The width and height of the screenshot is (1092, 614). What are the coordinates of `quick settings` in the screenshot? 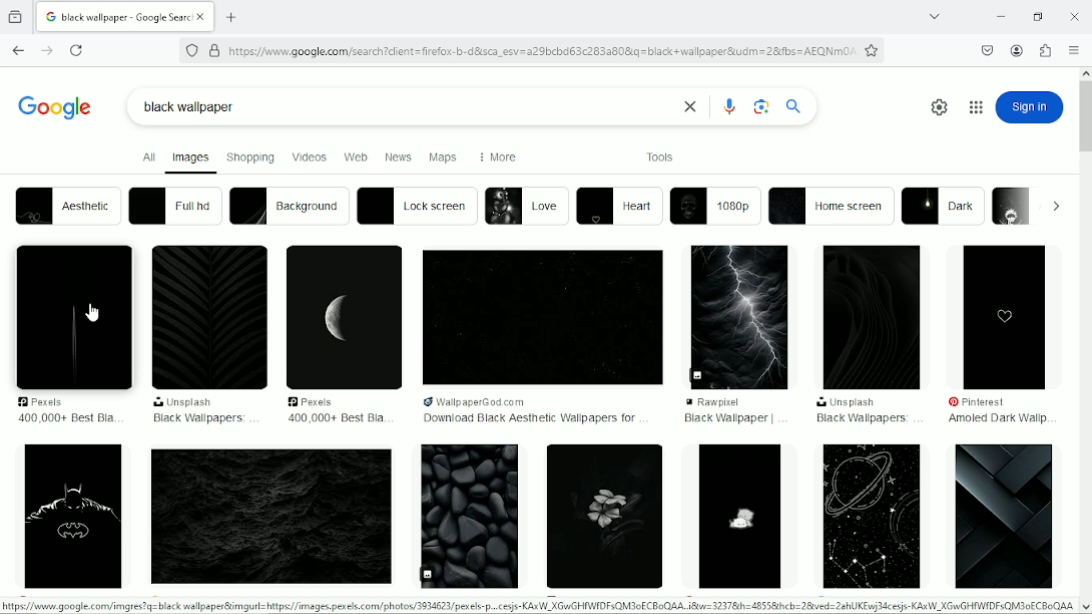 It's located at (936, 107).